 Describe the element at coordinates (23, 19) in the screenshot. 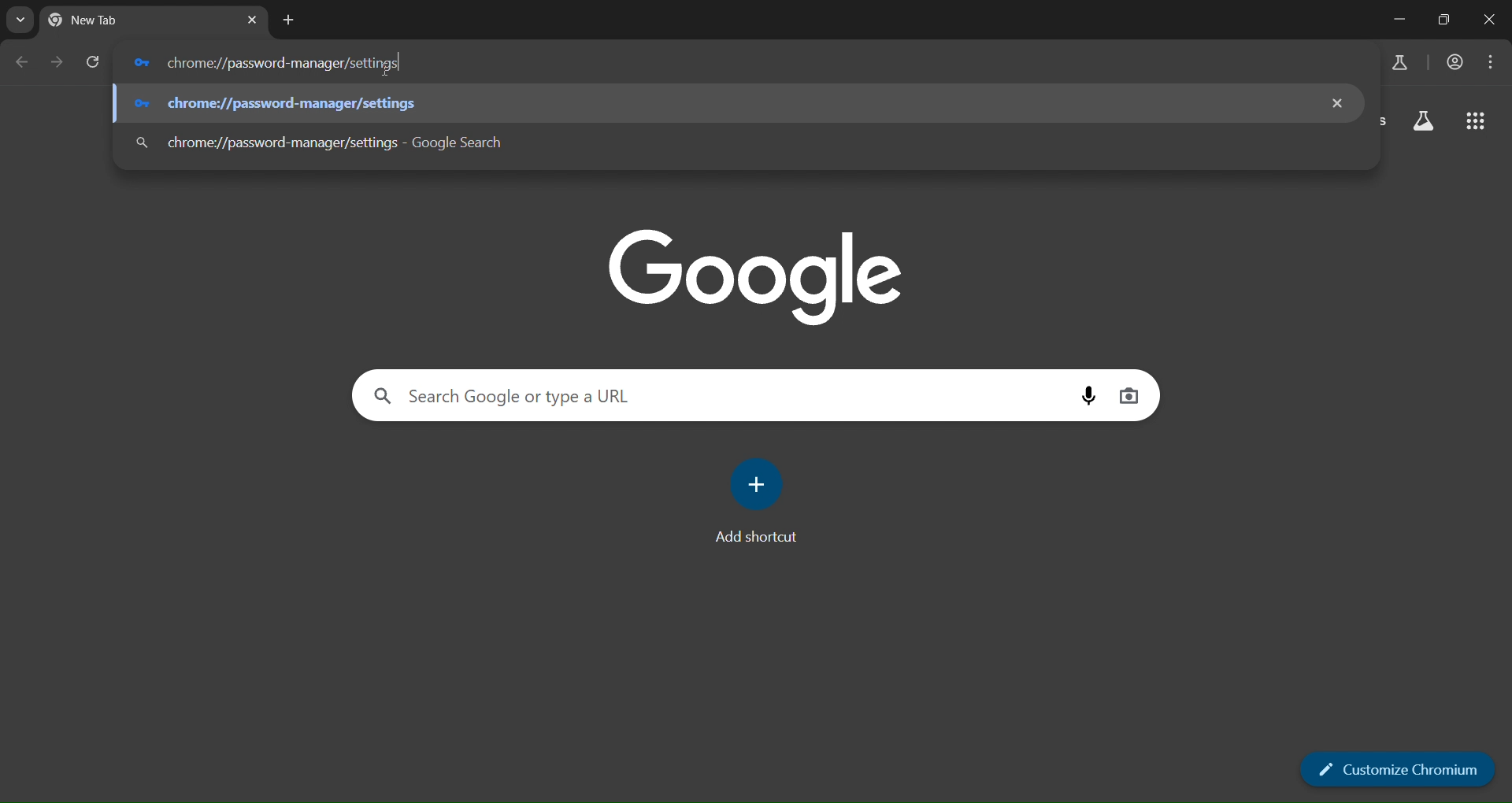

I see `search tabs` at that location.